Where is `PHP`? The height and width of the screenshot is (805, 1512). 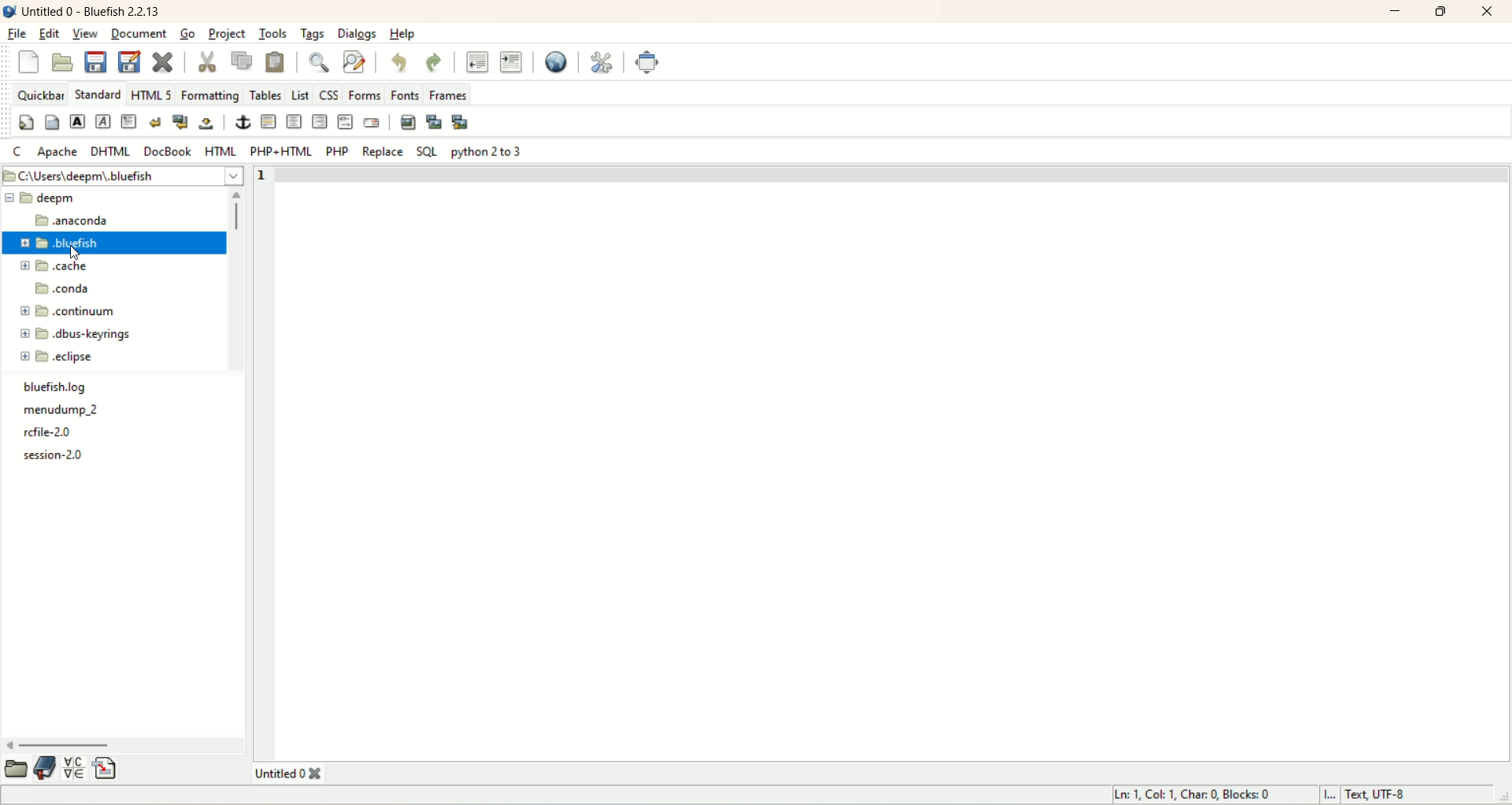 PHP is located at coordinates (338, 150).